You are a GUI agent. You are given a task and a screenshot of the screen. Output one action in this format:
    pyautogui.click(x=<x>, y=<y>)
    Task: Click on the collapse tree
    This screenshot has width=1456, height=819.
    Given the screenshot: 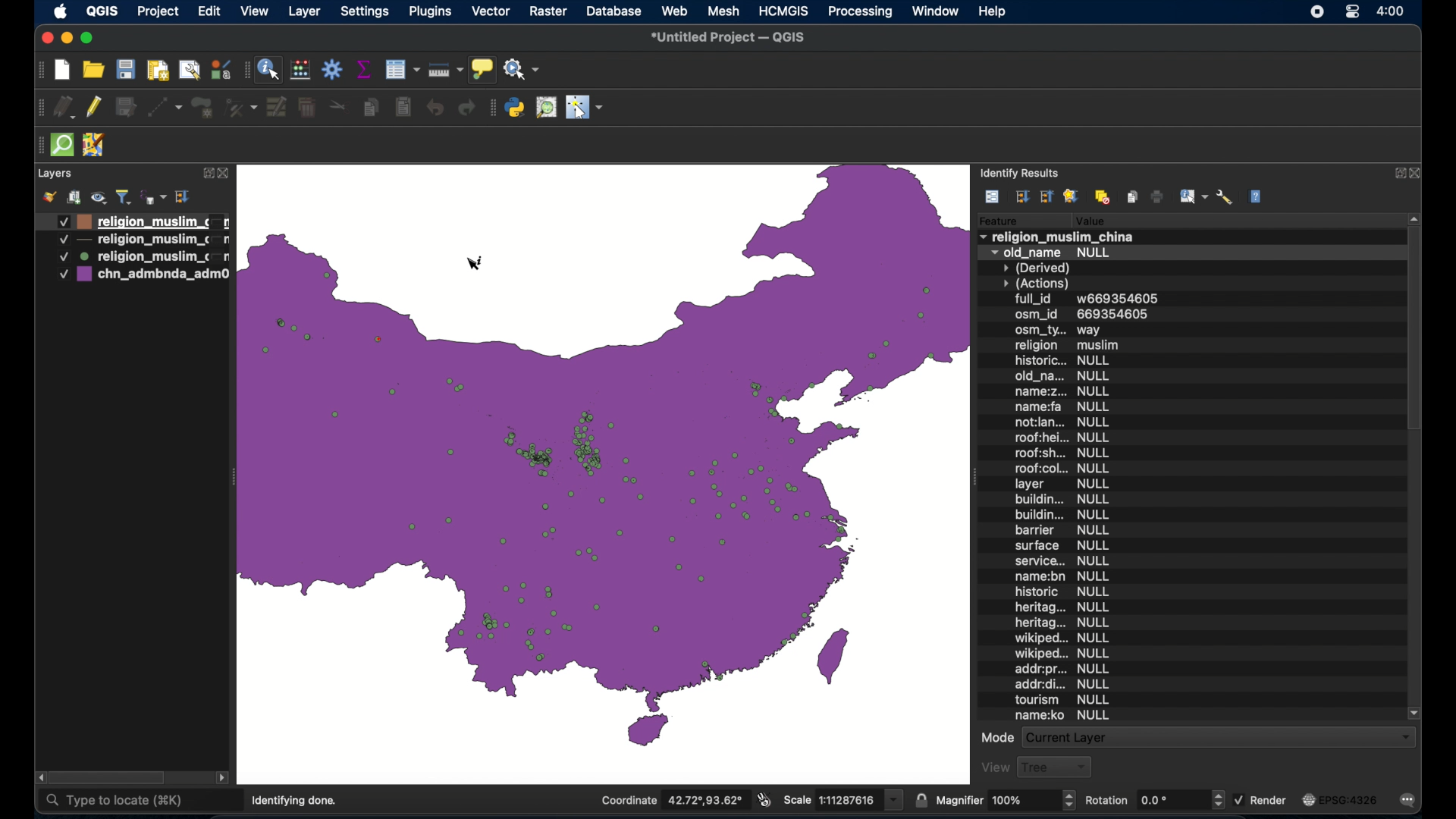 What is the action you would take?
    pyautogui.click(x=1046, y=197)
    